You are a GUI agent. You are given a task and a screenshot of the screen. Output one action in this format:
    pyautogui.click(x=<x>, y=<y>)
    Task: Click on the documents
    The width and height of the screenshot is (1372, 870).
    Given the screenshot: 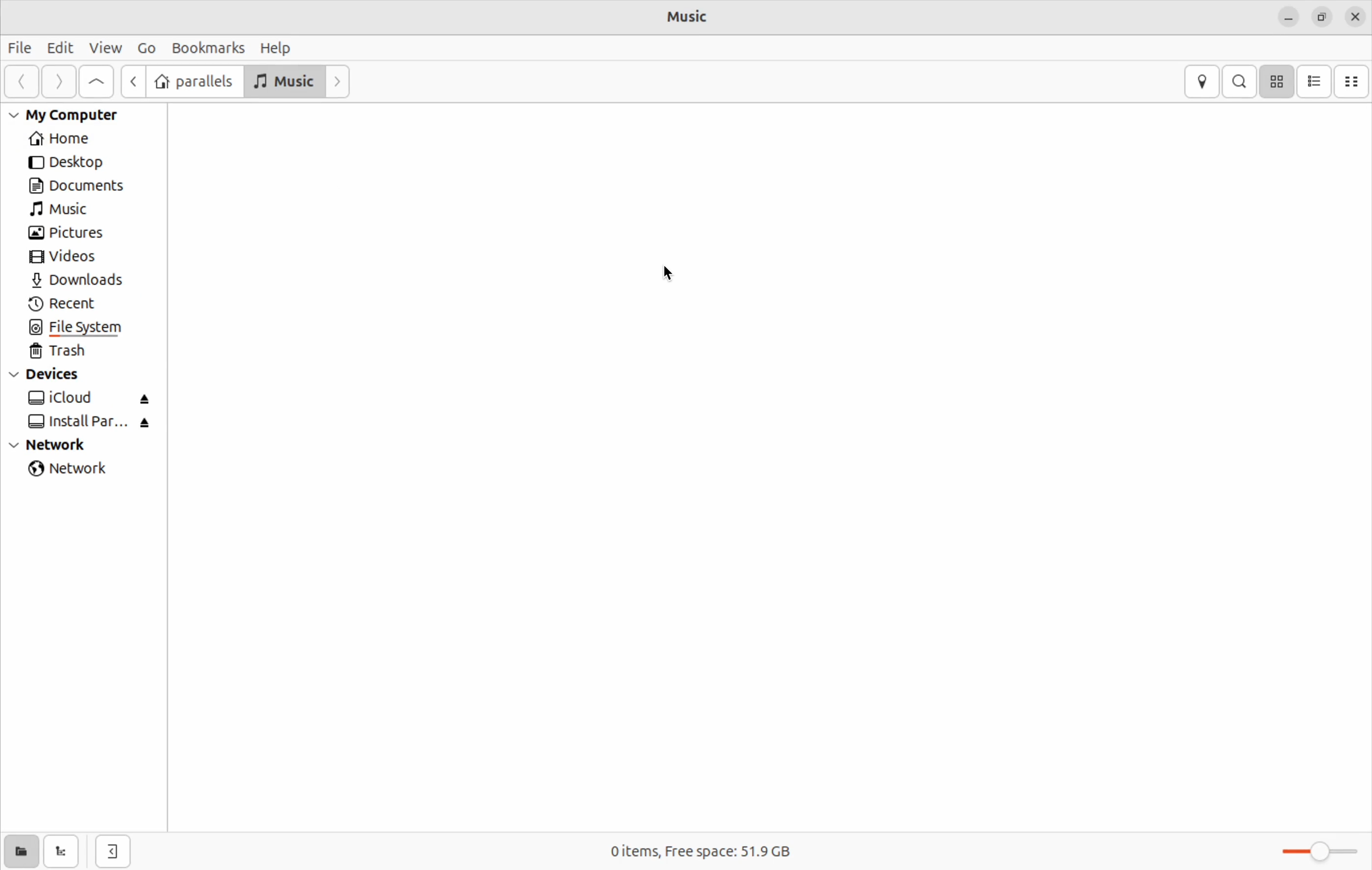 What is the action you would take?
    pyautogui.click(x=86, y=186)
    